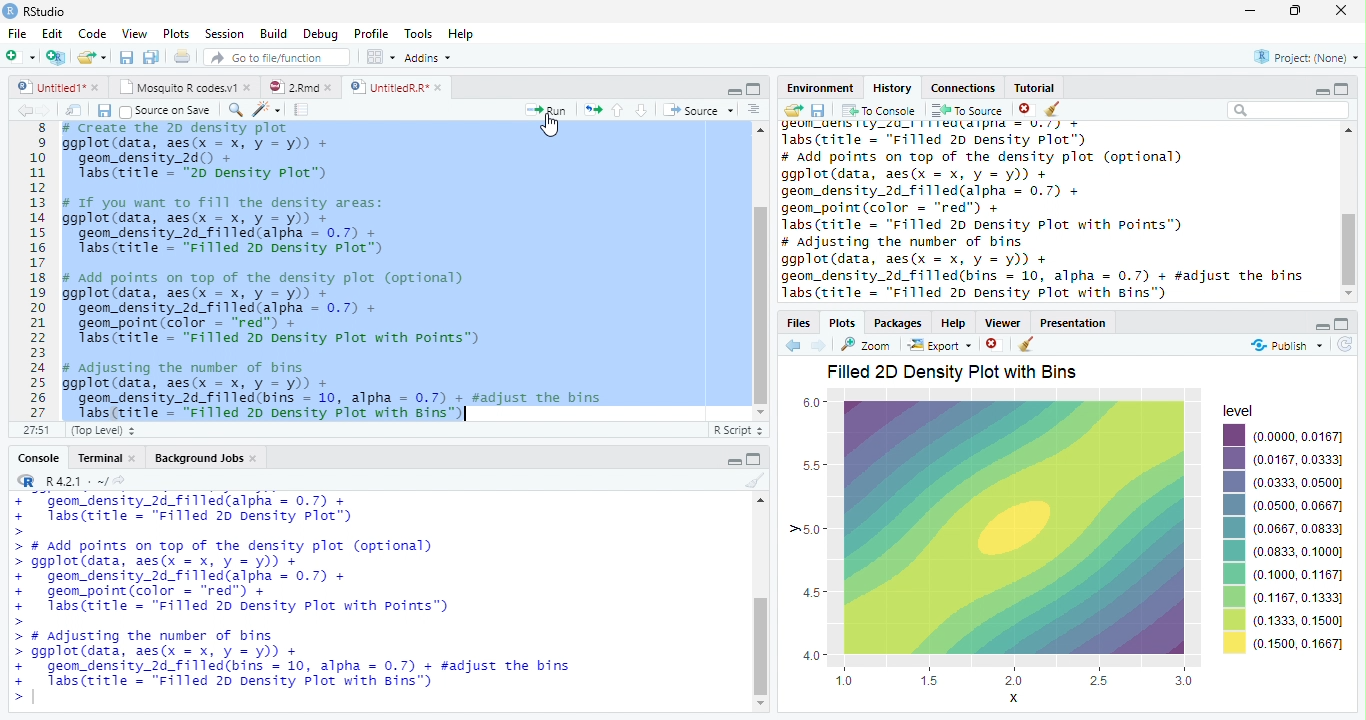 The image size is (1366, 720). Describe the element at coordinates (641, 110) in the screenshot. I see `down` at that location.